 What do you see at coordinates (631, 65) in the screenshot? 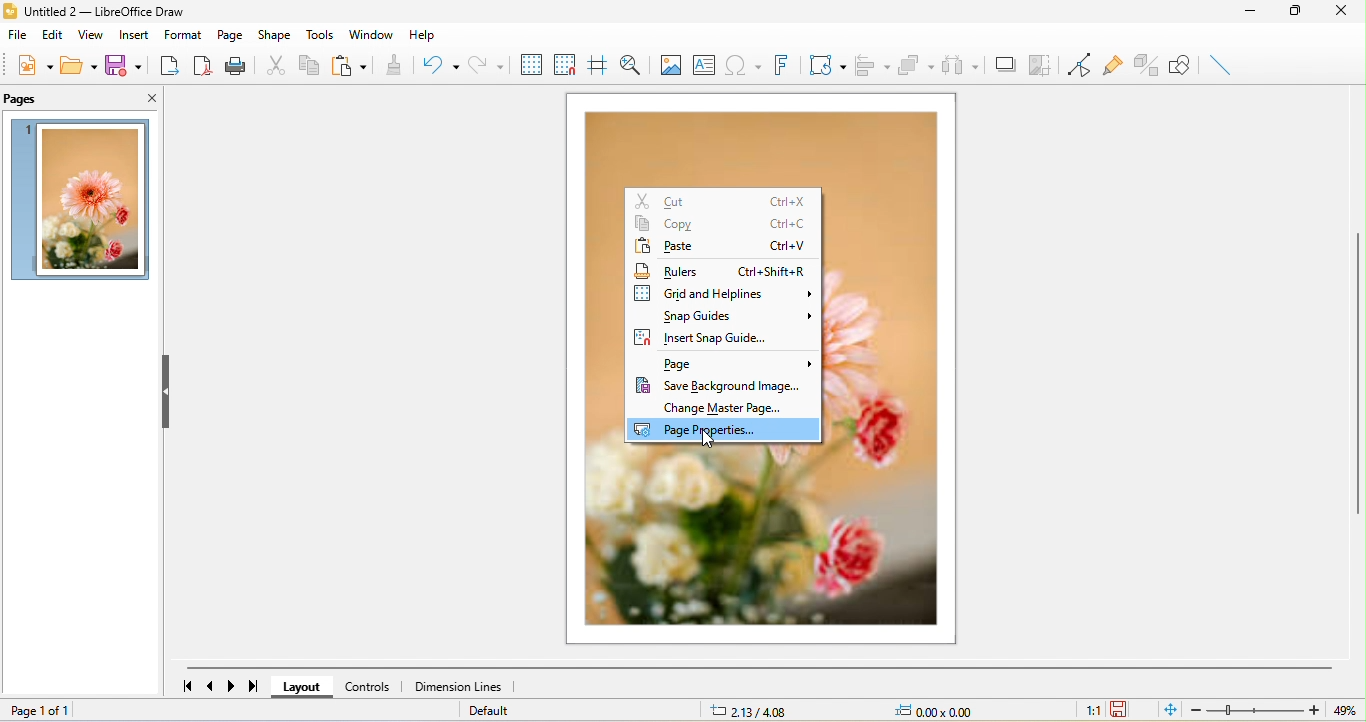
I see `zoom and pan` at bounding box center [631, 65].